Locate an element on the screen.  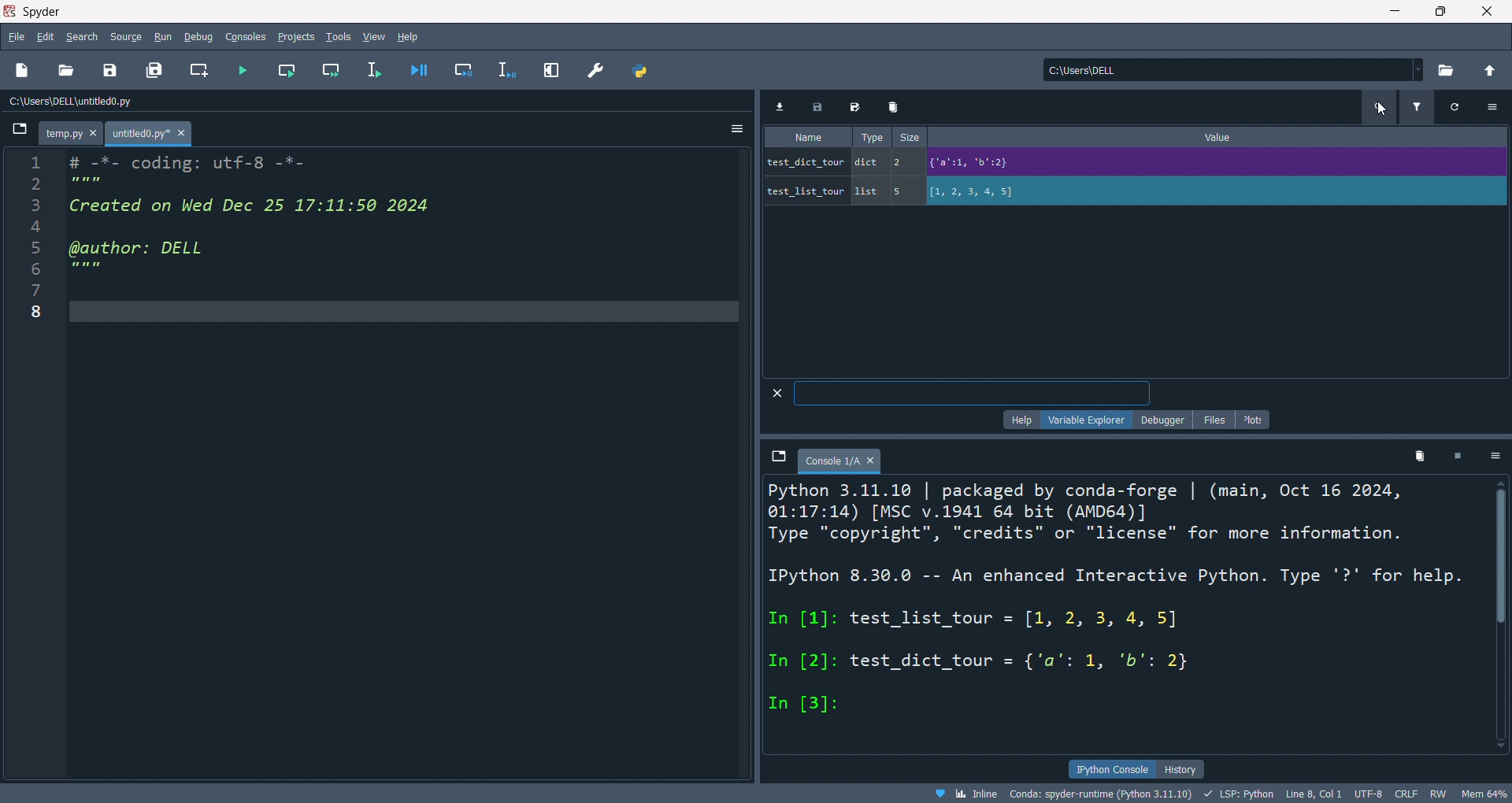
search variables is located at coordinates (1373, 109).